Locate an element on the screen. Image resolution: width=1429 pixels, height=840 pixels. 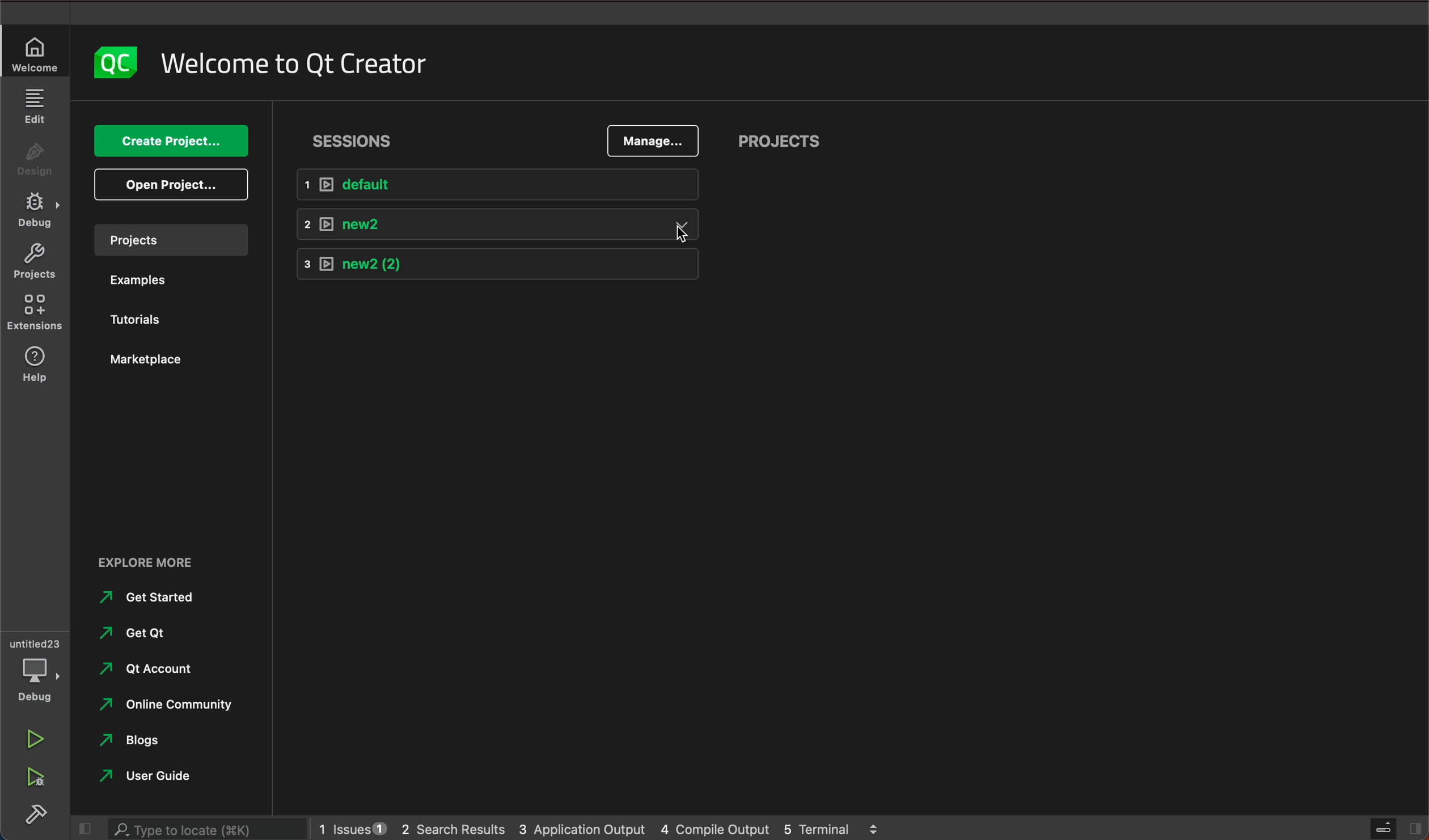
manage is located at coordinates (654, 139).